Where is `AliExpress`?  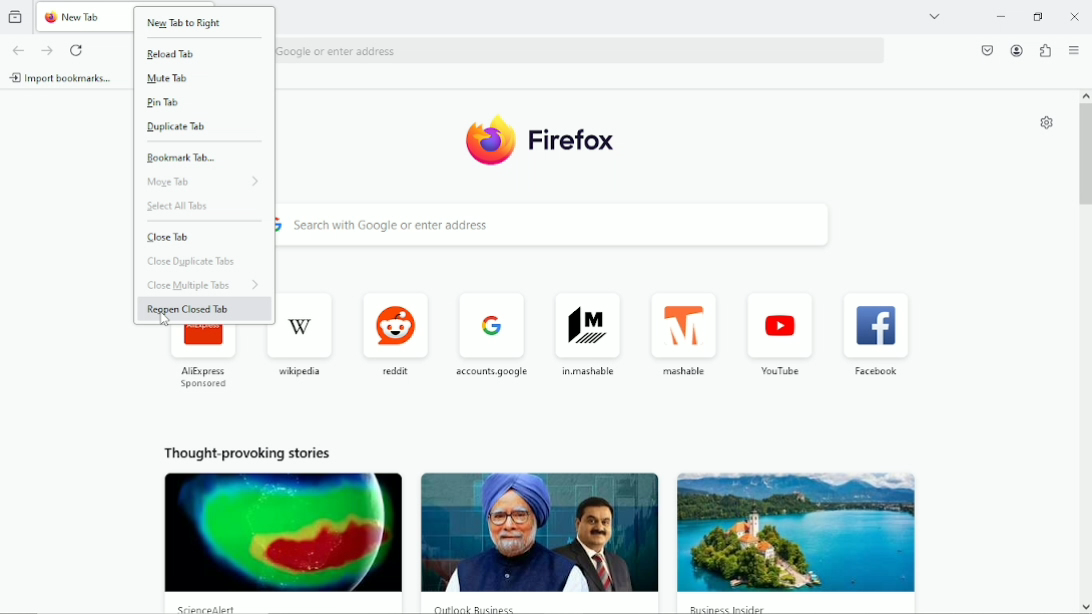 AliExpress is located at coordinates (201, 360).